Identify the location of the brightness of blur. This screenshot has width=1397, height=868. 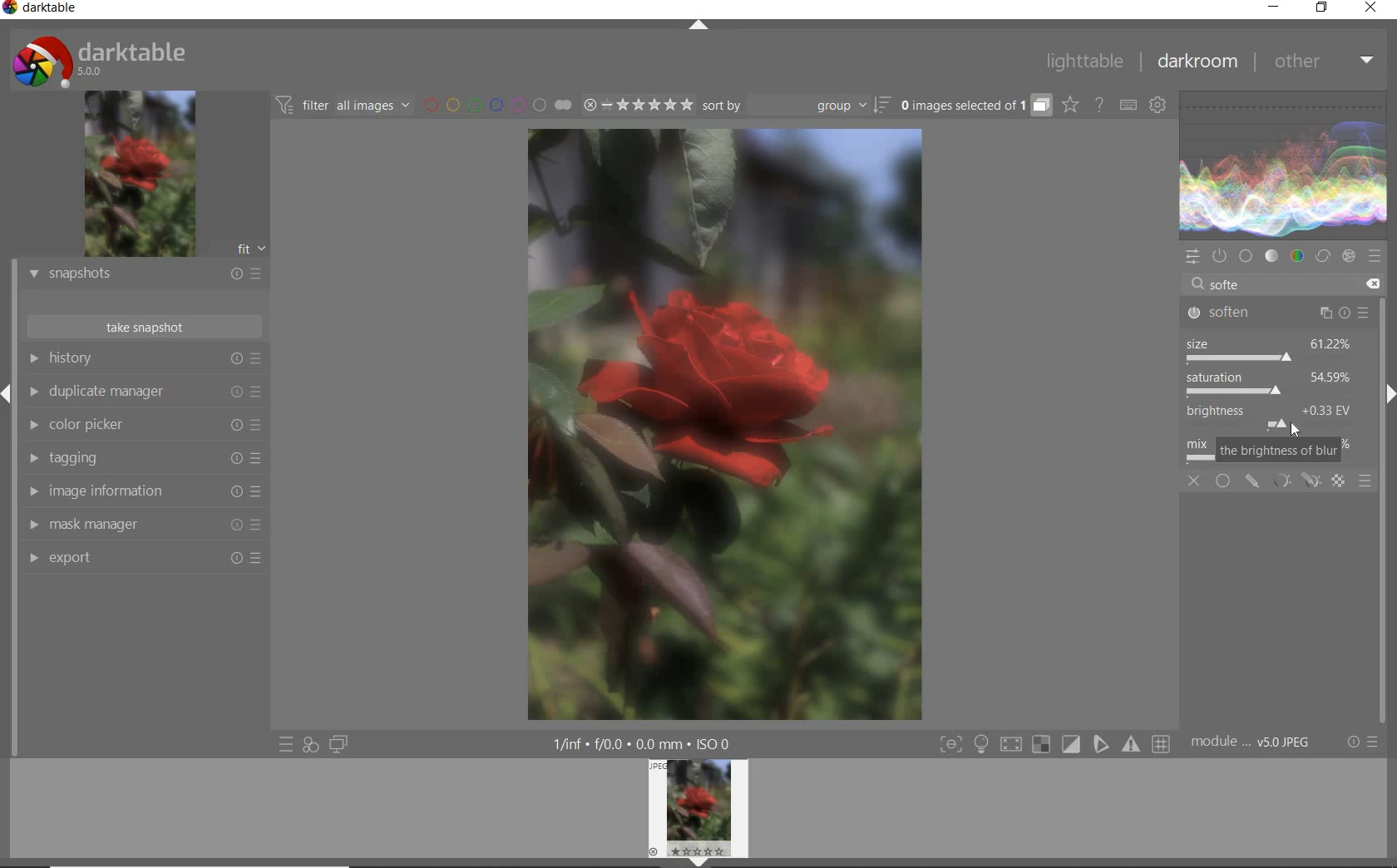
(1278, 451).